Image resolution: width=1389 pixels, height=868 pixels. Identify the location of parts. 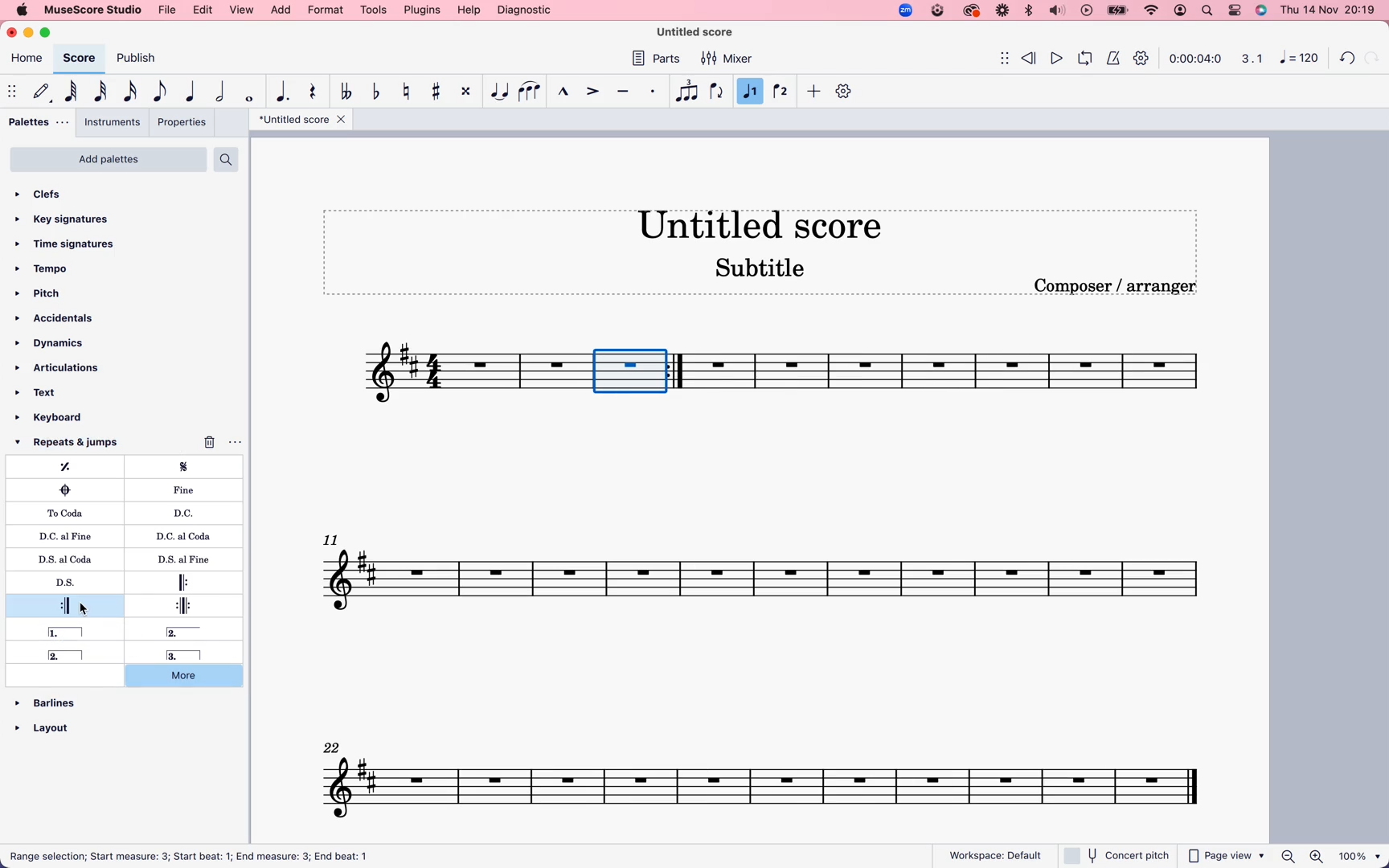
(660, 60).